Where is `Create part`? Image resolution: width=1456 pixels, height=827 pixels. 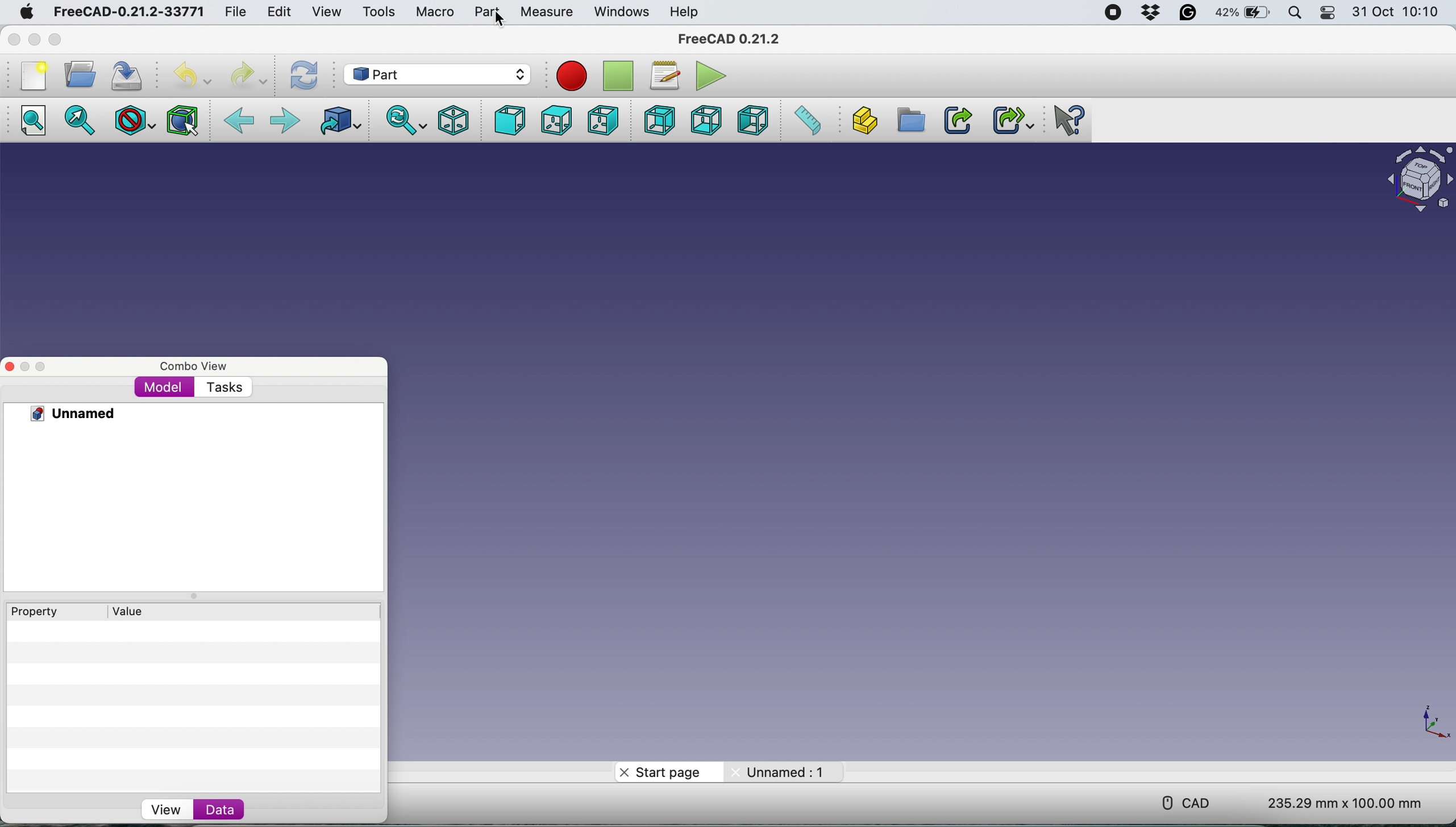
Create part is located at coordinates (859, 121).